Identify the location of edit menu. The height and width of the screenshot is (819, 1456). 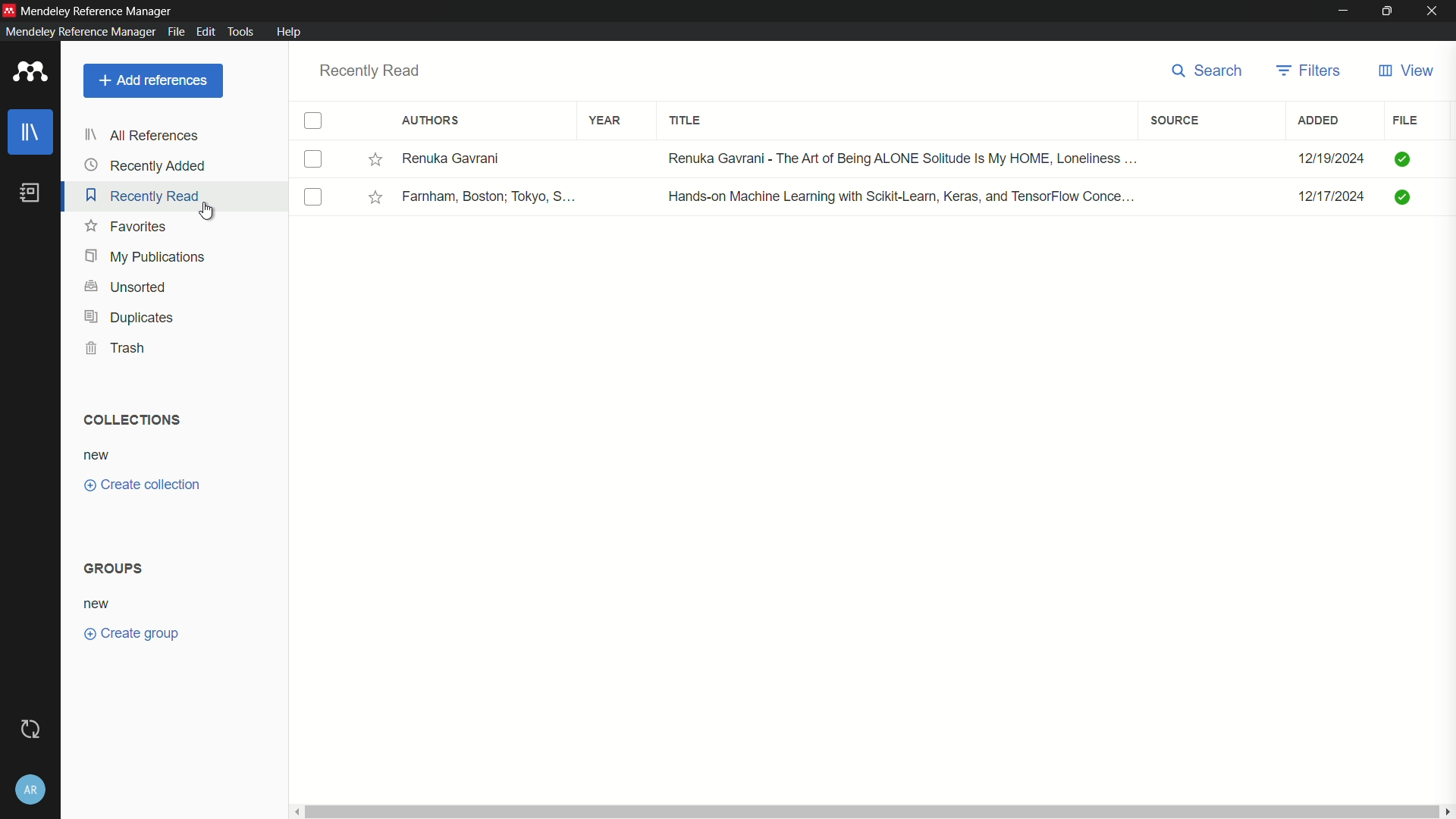
(206, 33).